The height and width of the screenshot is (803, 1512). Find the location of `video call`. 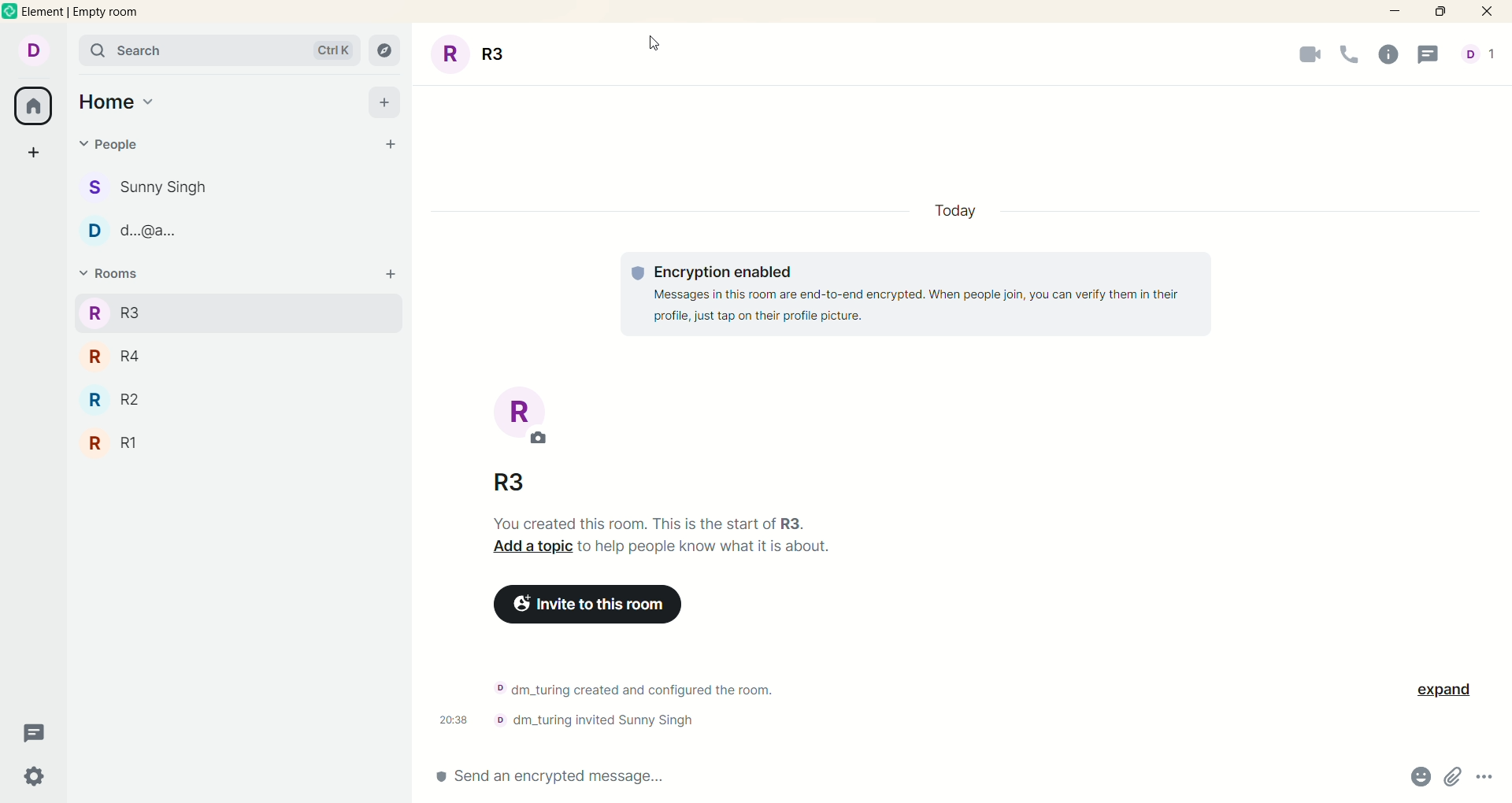

video call is located at coordinates (1302, 57).